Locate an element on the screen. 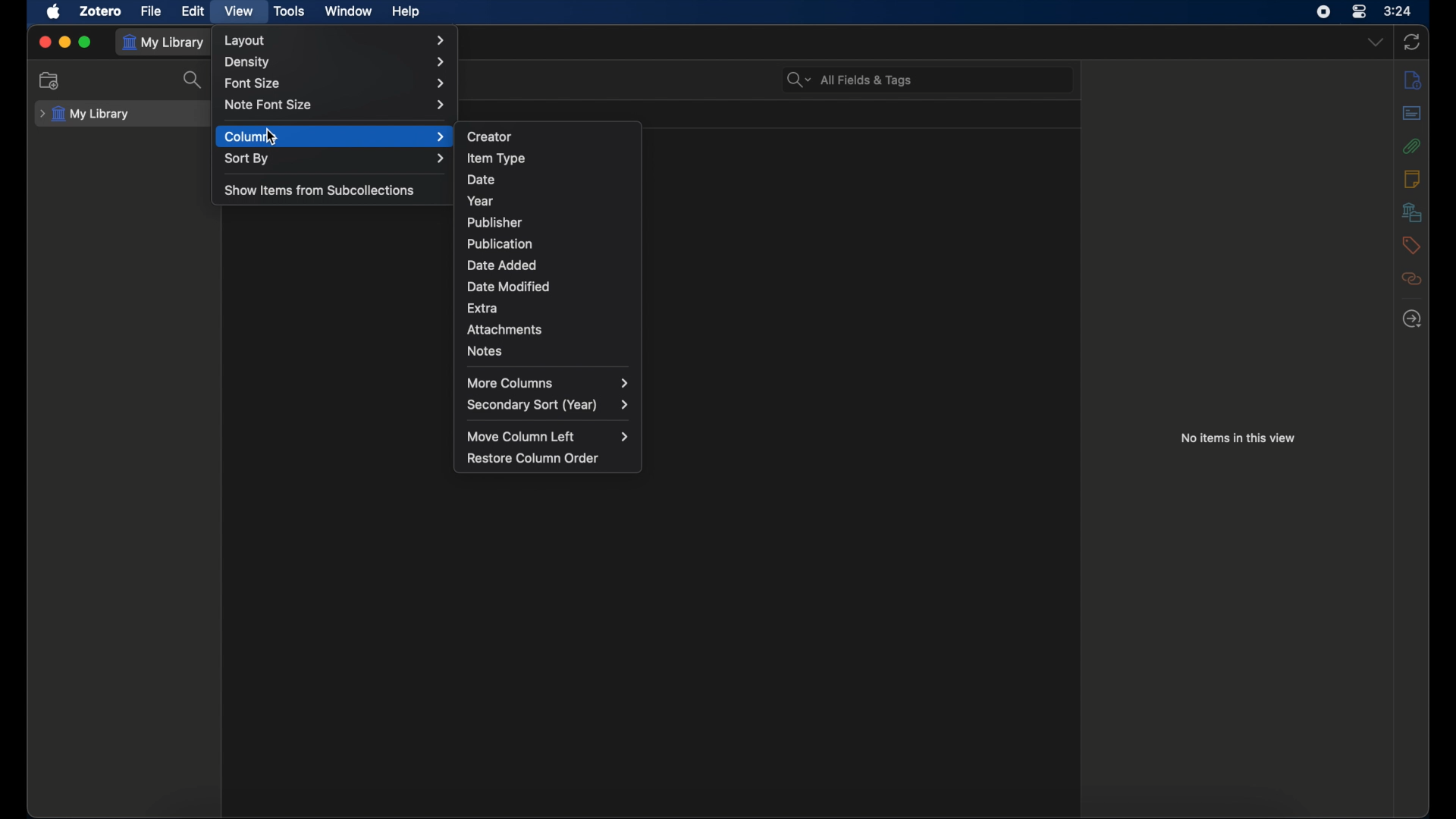 This screenshot has width=1456, height=819. help is located at coordinates (405, 12).